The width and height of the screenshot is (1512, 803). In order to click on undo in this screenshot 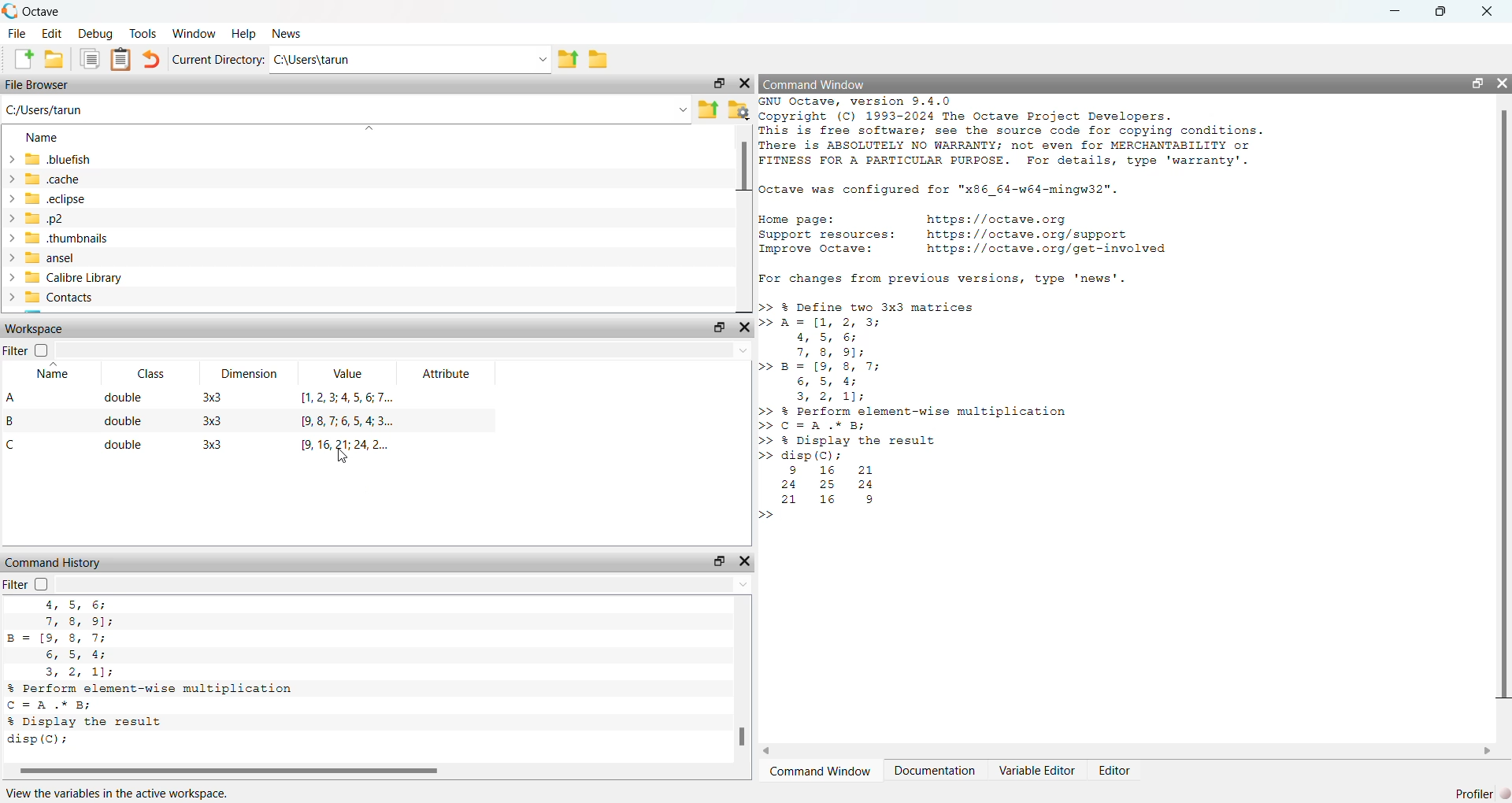, I will do `click(151, 60)`.